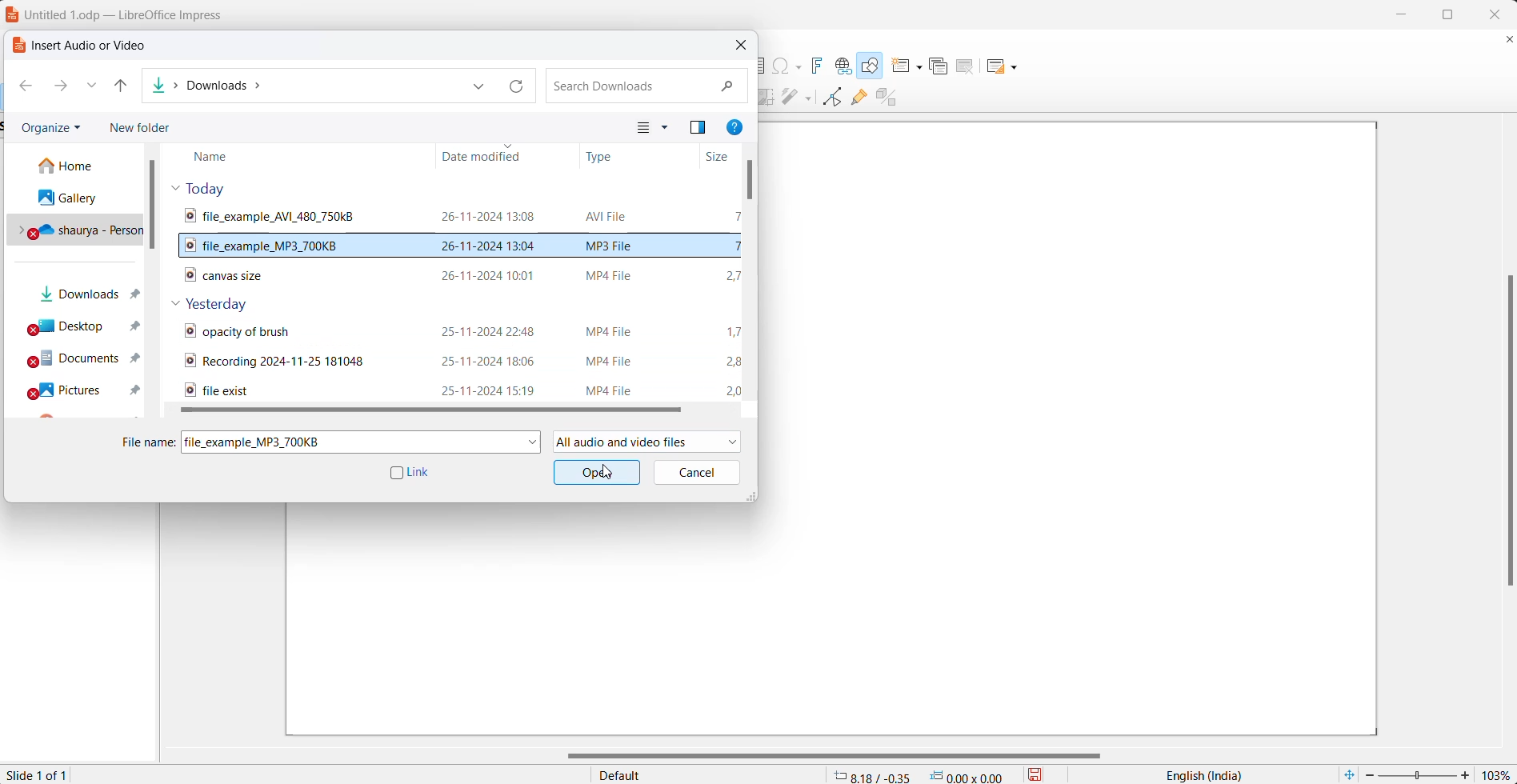 This screenshot has width=1517, height=784. What do you see at coordinates (295, 246) in the screenshot?
I see `selected audio file name` at bounding box center [295, 246].